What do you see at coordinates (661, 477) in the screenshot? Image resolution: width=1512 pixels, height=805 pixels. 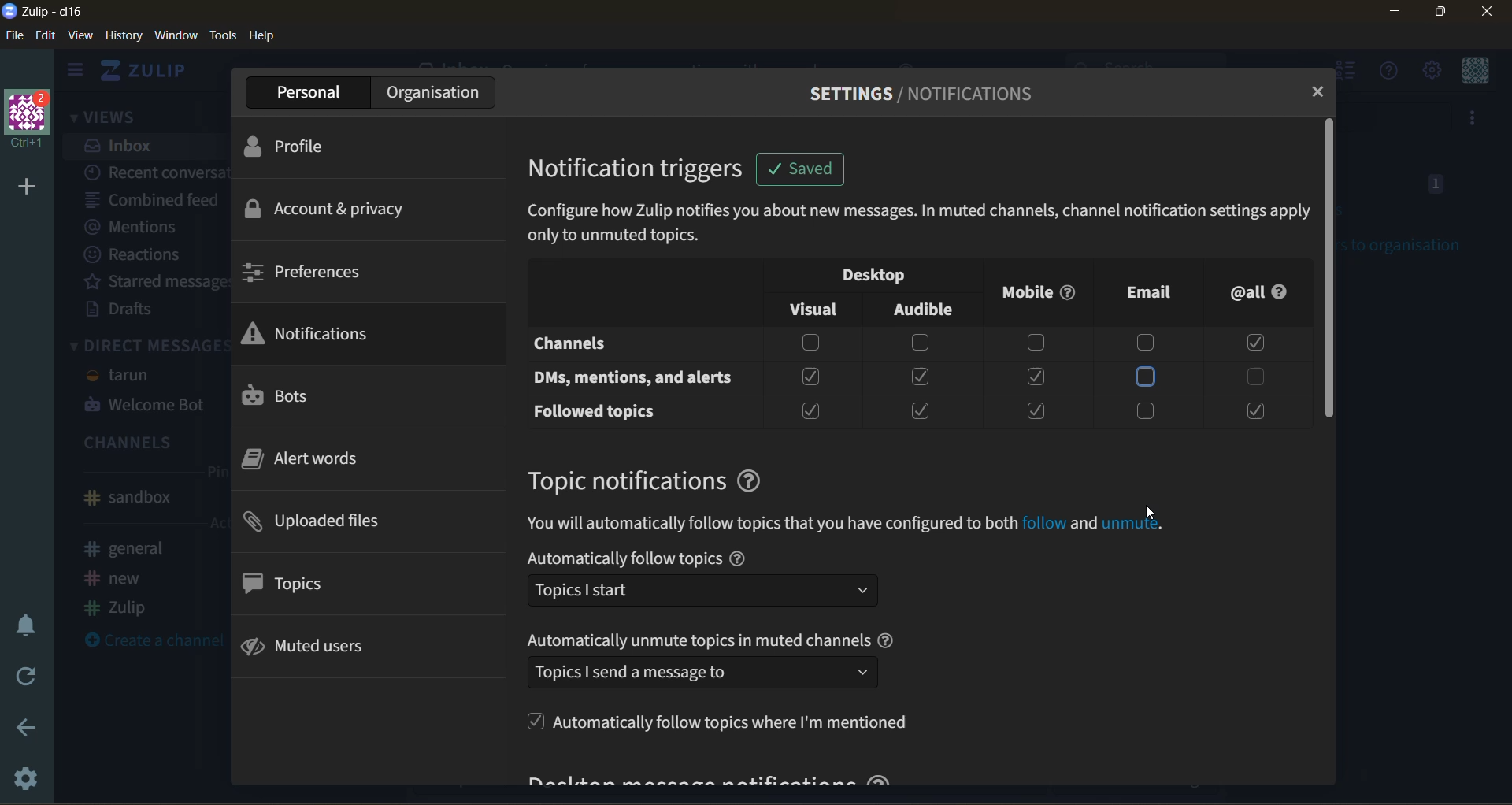 I see `topic notifications` at bounding box center [661, 477].